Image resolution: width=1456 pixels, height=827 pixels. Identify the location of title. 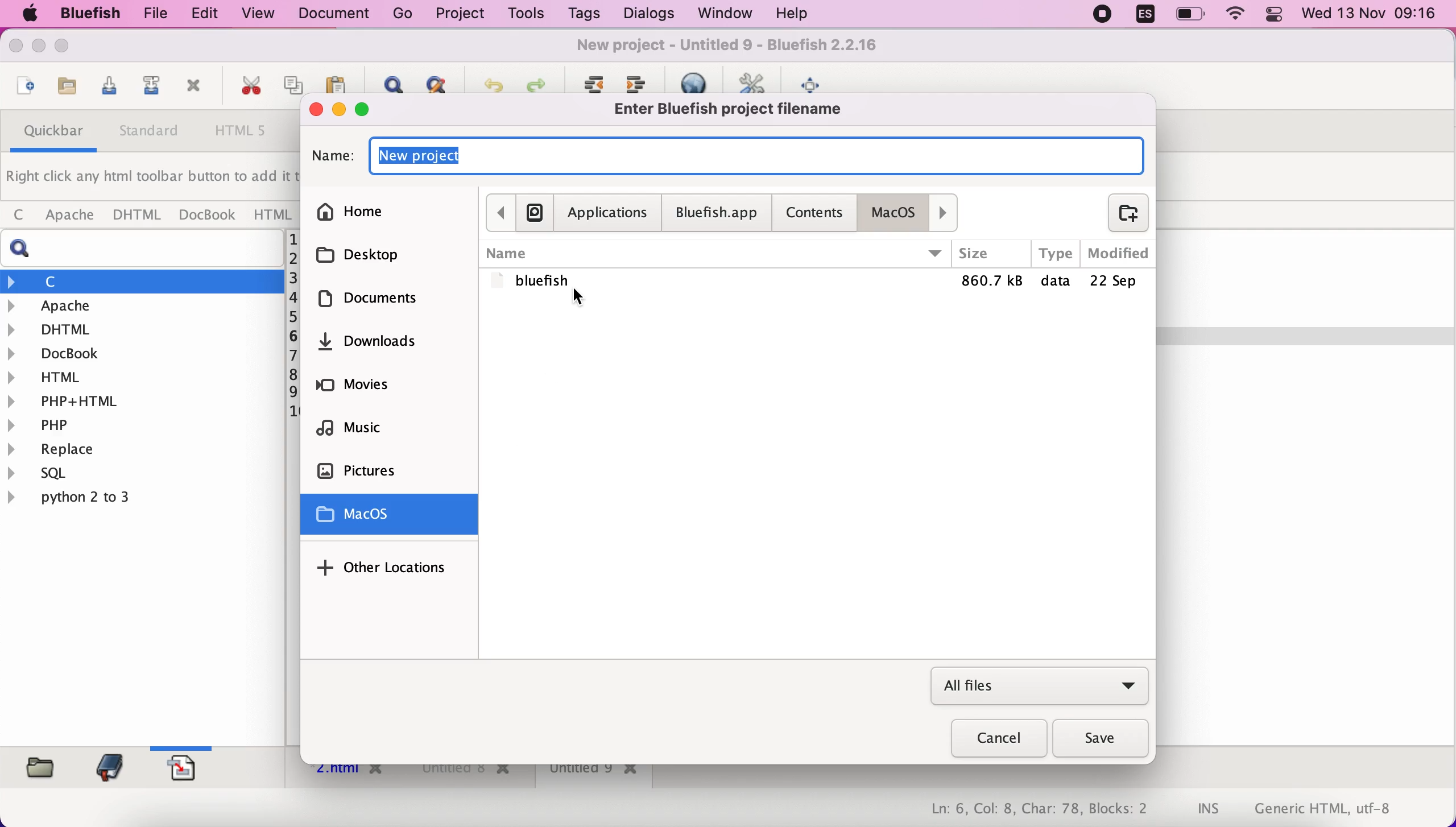
(734, 47).